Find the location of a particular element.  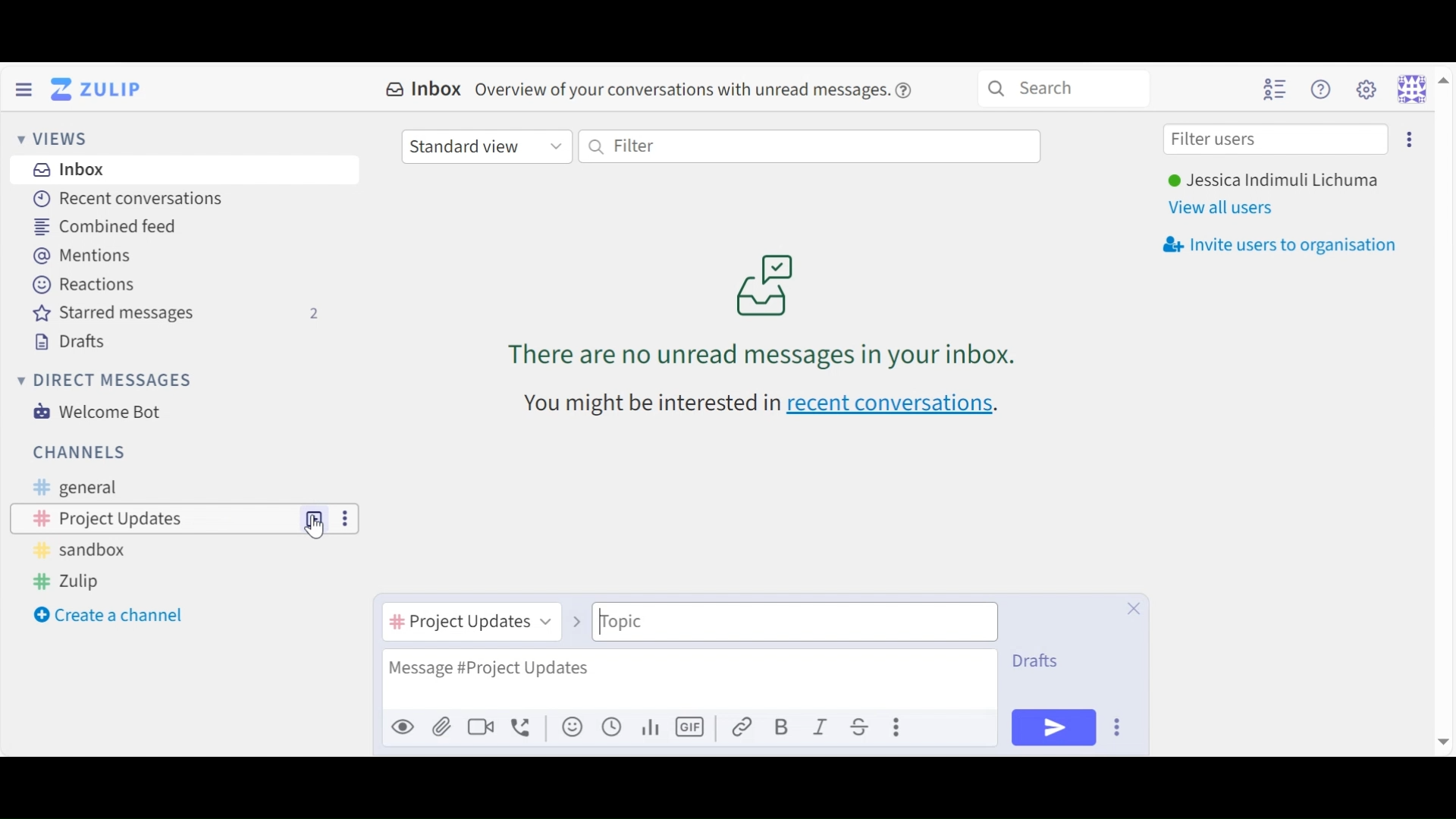

Search is located at coordinates (1063, 86).